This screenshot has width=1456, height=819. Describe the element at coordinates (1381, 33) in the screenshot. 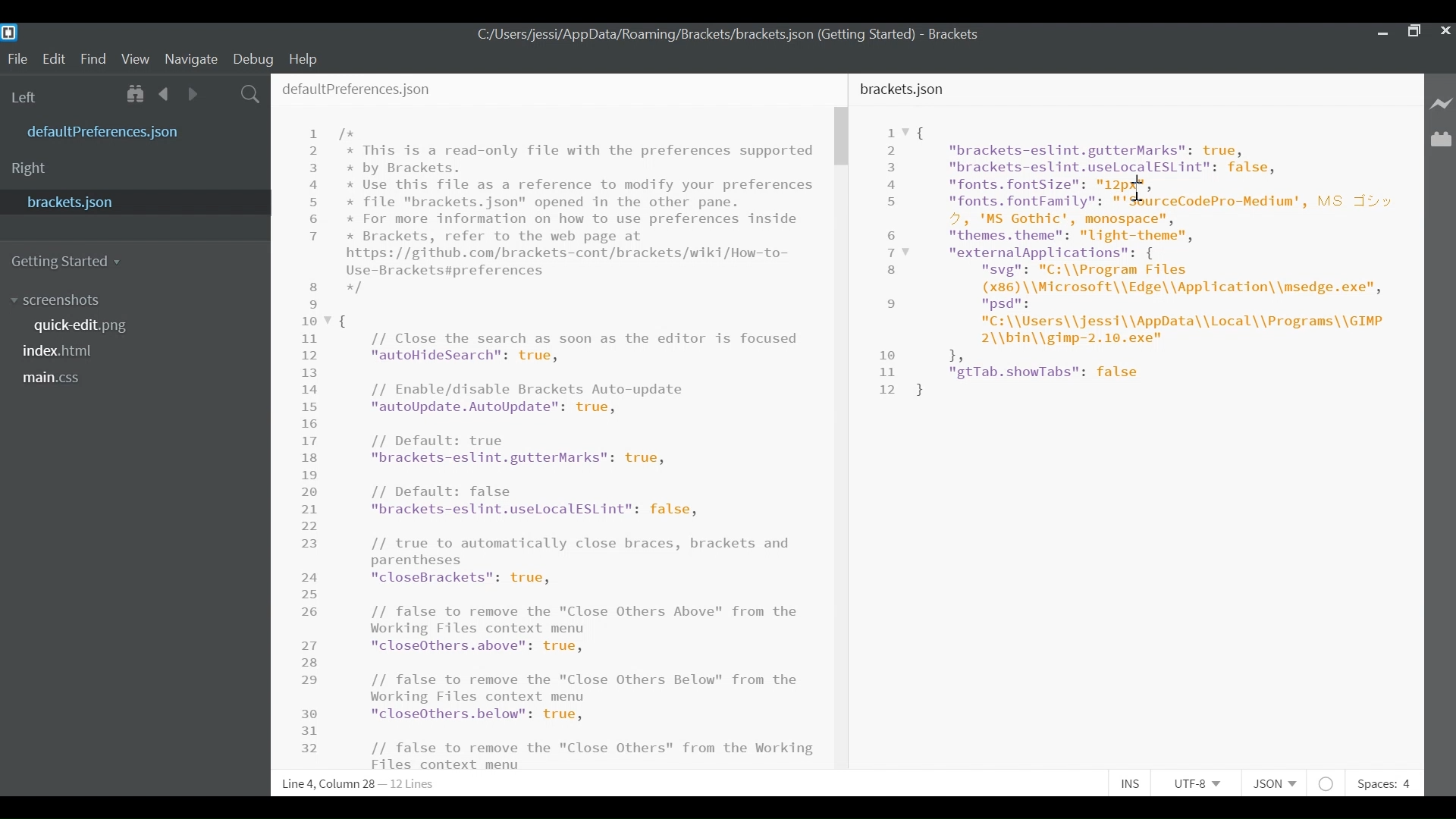

I see `minimize` at that location.